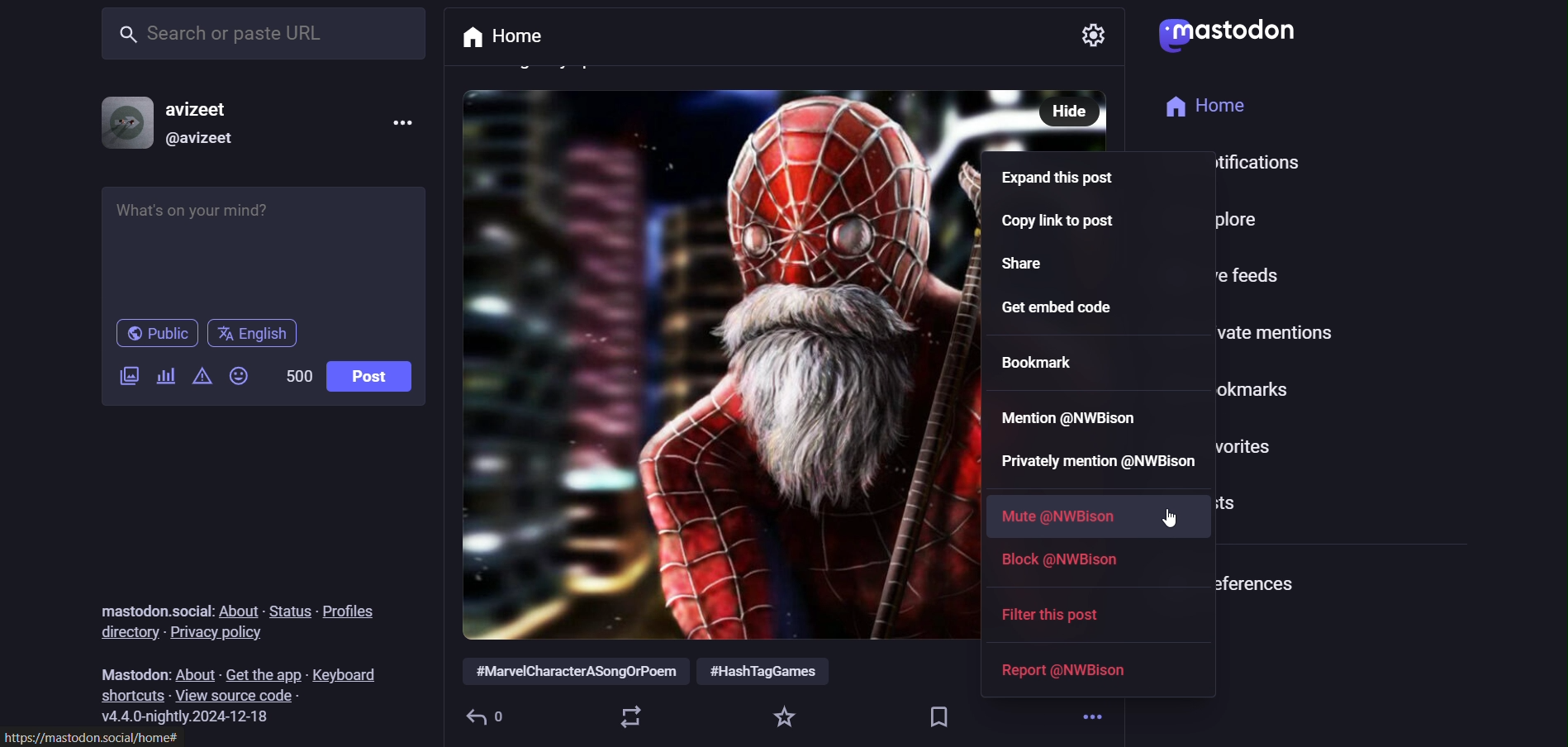  What do you see at coordinates (1035, 266) in the screenshot?
I see `share` at bounding box center [1035, 266].